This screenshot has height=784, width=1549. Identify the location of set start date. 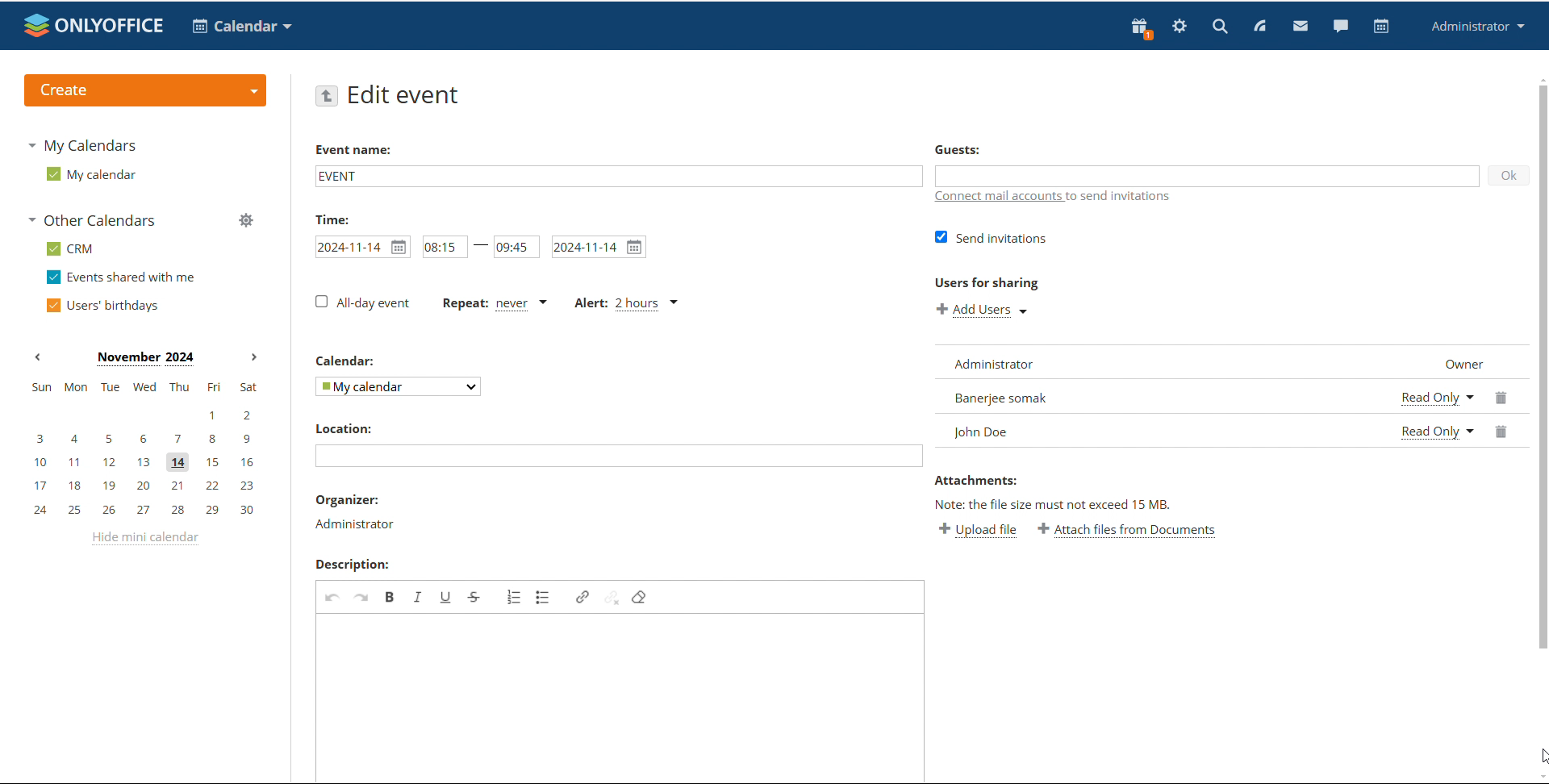
(362, 246).